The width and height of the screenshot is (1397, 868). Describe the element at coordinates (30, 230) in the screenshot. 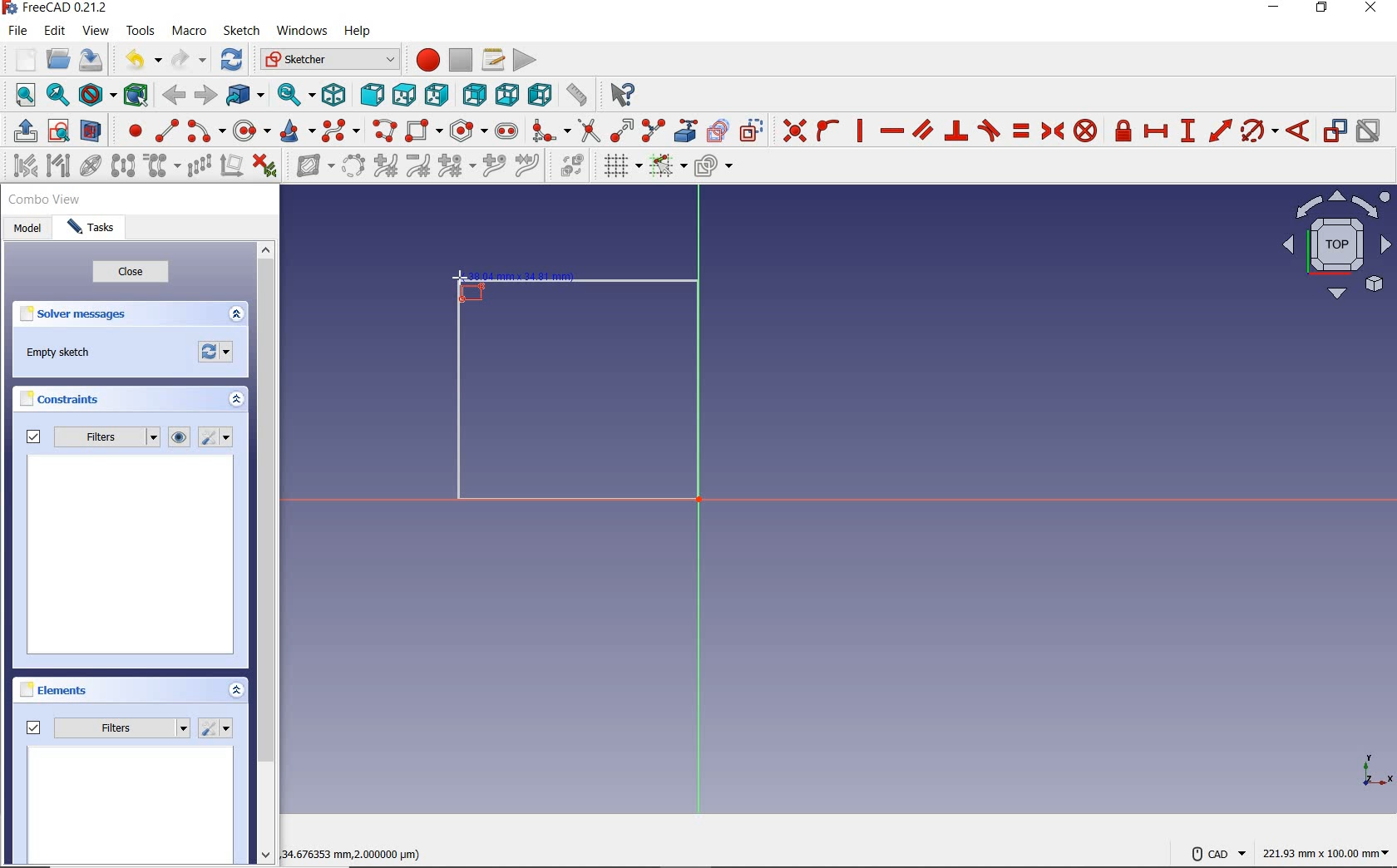

I see `model` at that location.